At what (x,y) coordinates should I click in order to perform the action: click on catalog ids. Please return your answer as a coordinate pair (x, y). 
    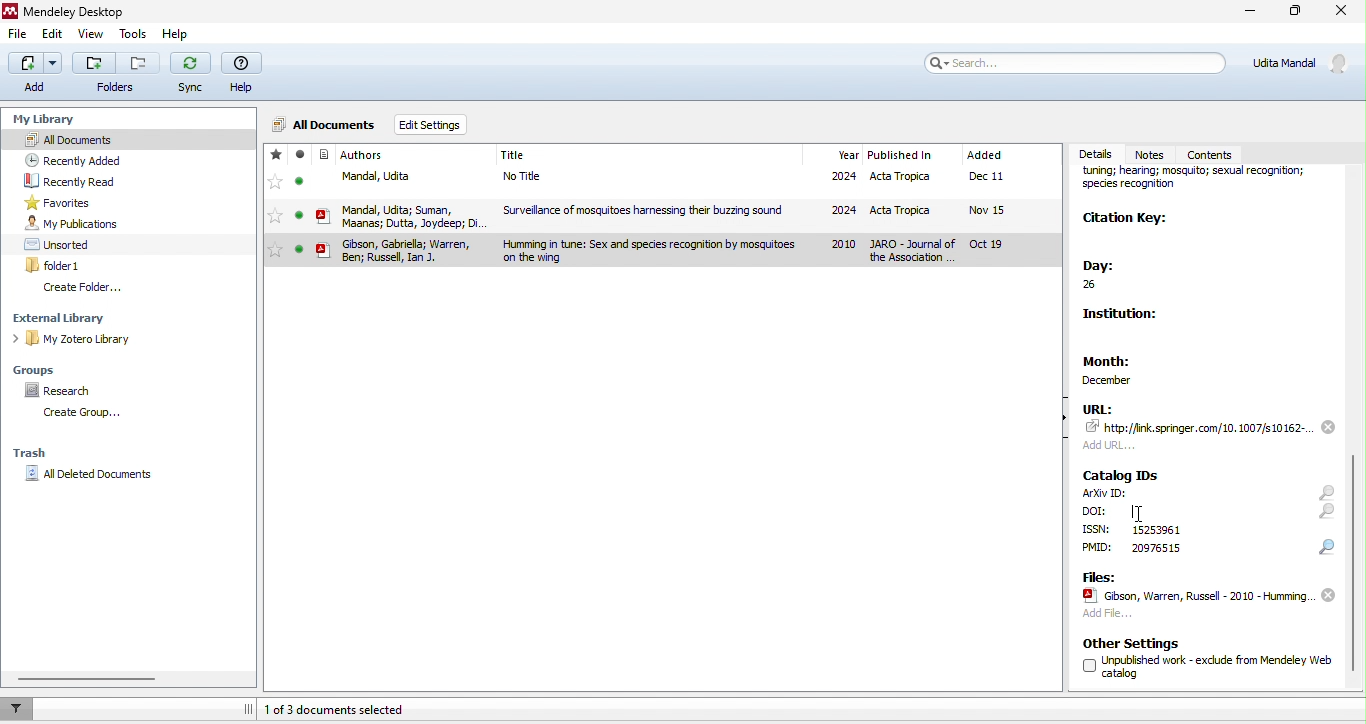
    Looking at the image, I should click on (1122, 475).